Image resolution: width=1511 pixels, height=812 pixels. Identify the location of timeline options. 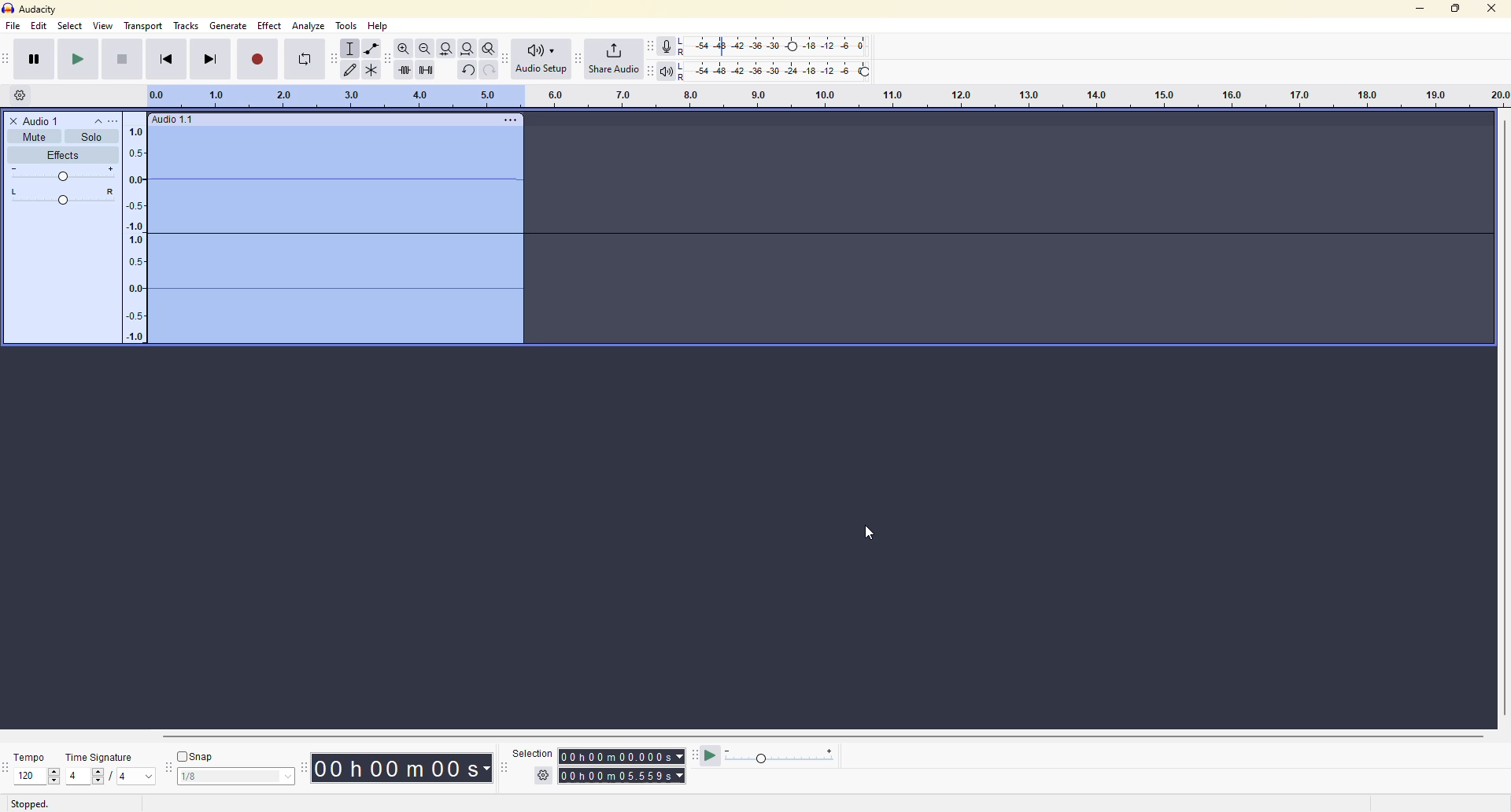
(20, 94).